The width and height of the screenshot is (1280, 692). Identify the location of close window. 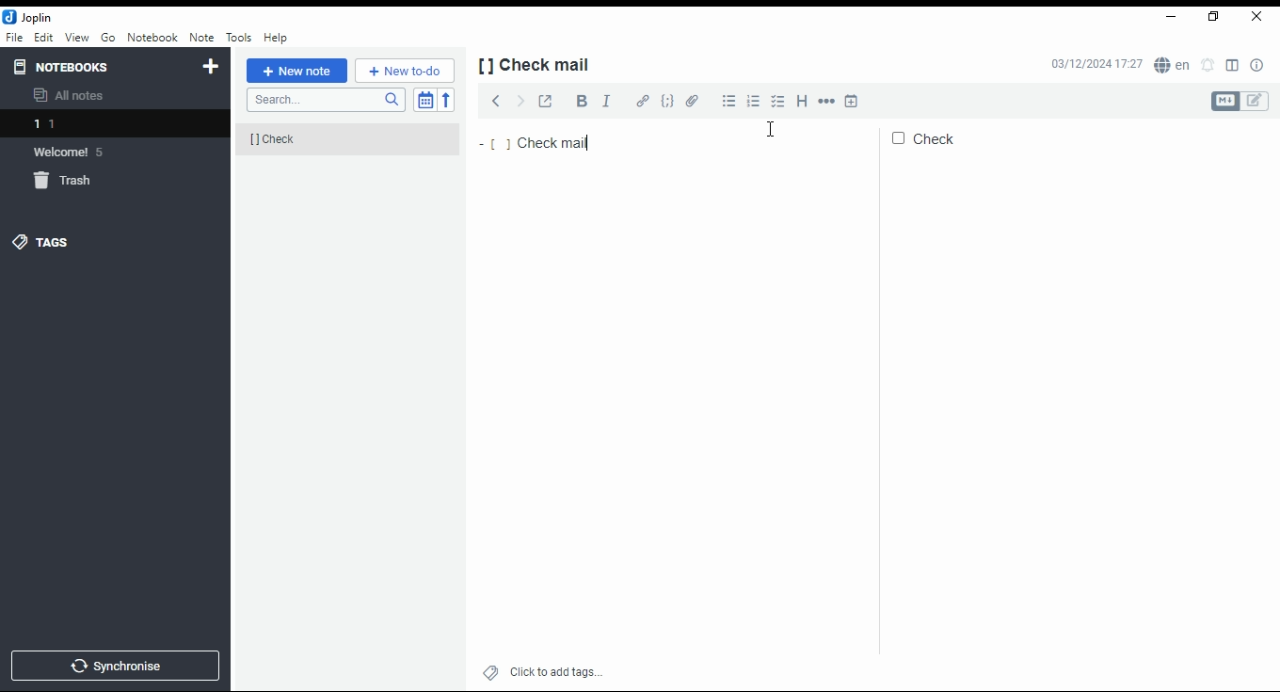
(1257, 18).